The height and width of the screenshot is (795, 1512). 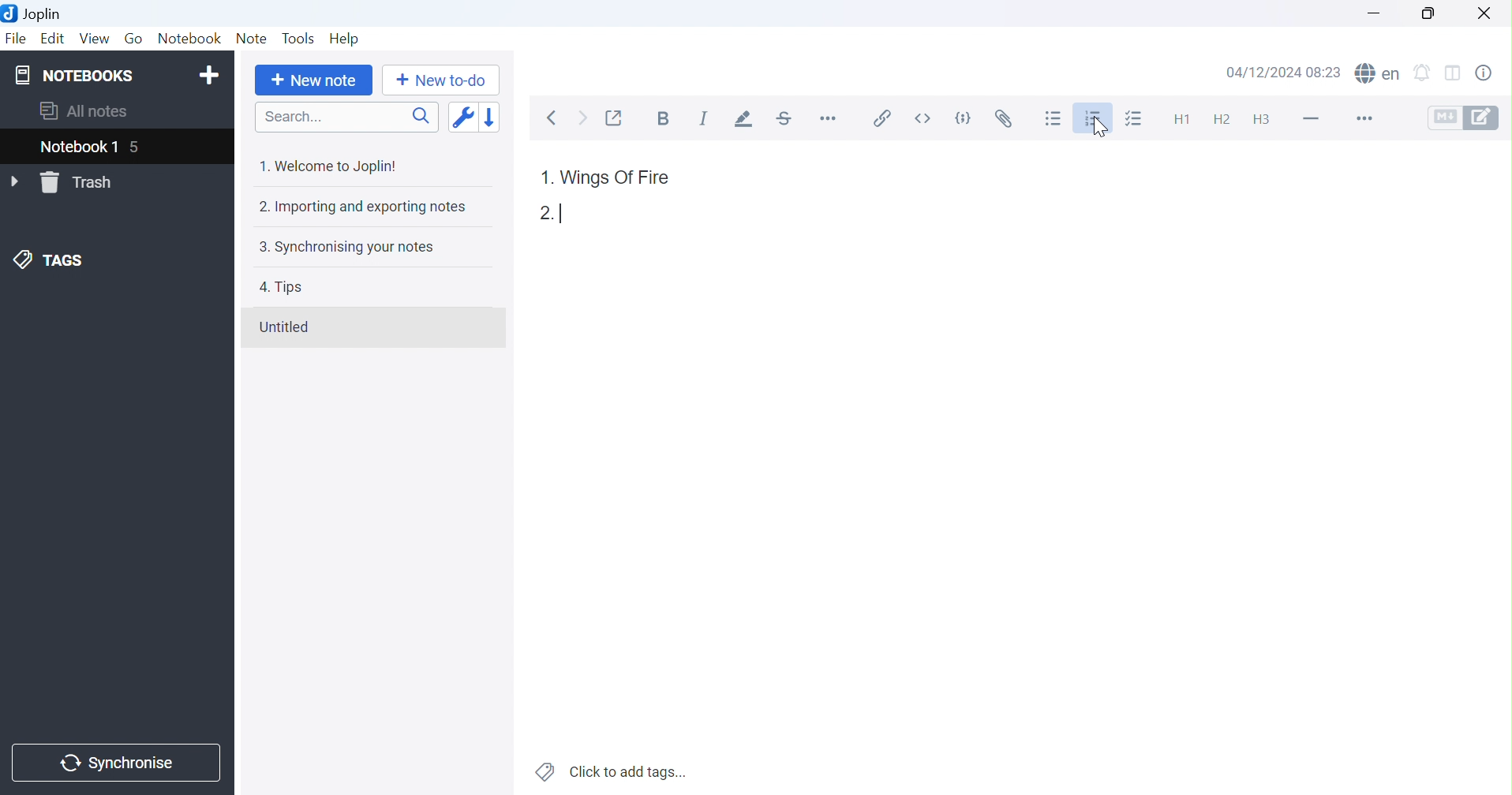 What do you see at coordinates (1095, 121) in the screenshot?
I see `numbered list` at bounding box center [1095, 121].